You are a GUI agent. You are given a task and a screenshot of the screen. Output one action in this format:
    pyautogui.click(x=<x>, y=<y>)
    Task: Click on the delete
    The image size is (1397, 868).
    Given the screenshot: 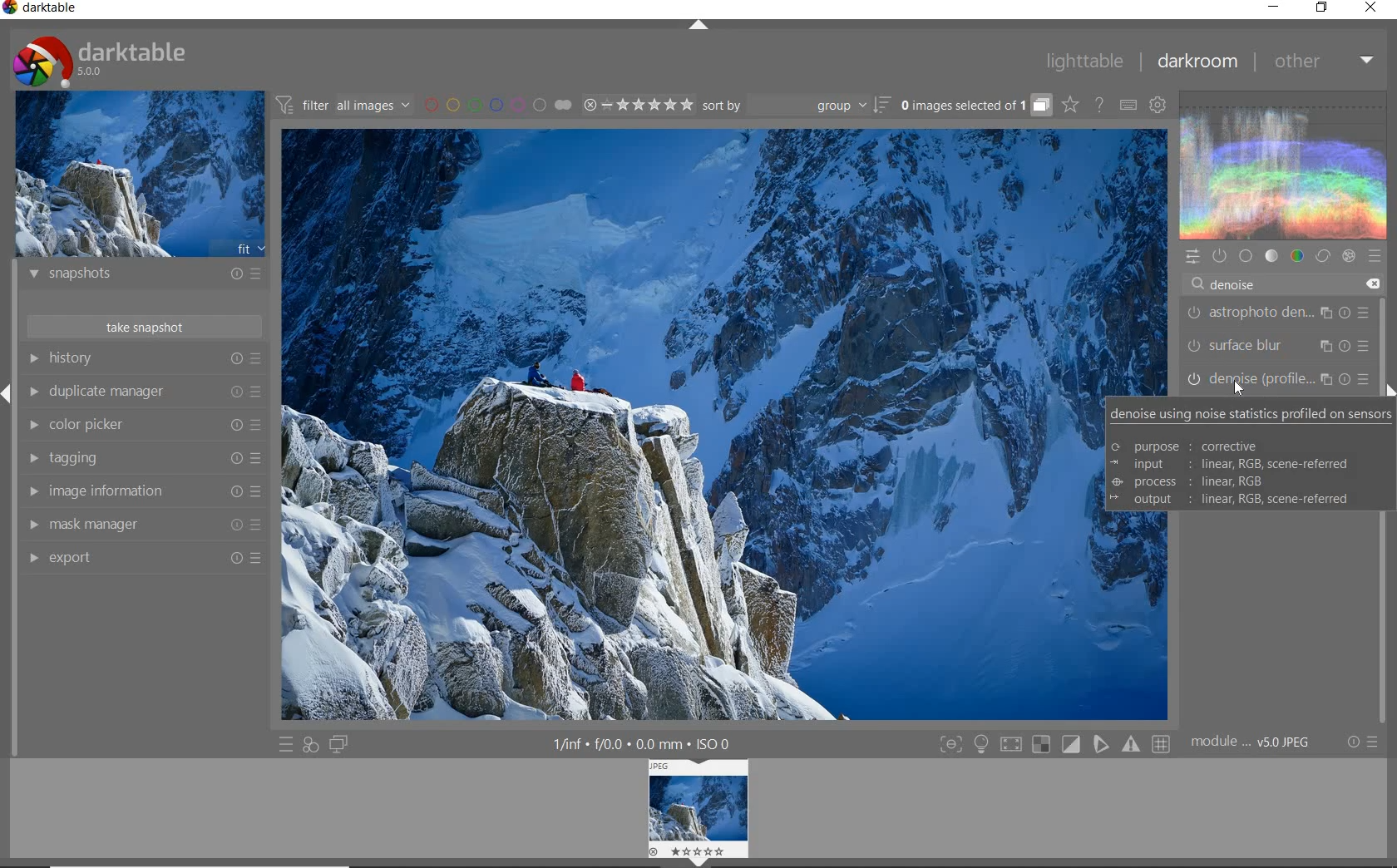 What is the action you would take?
    pyautogui.click(x=1371, y=284)
    